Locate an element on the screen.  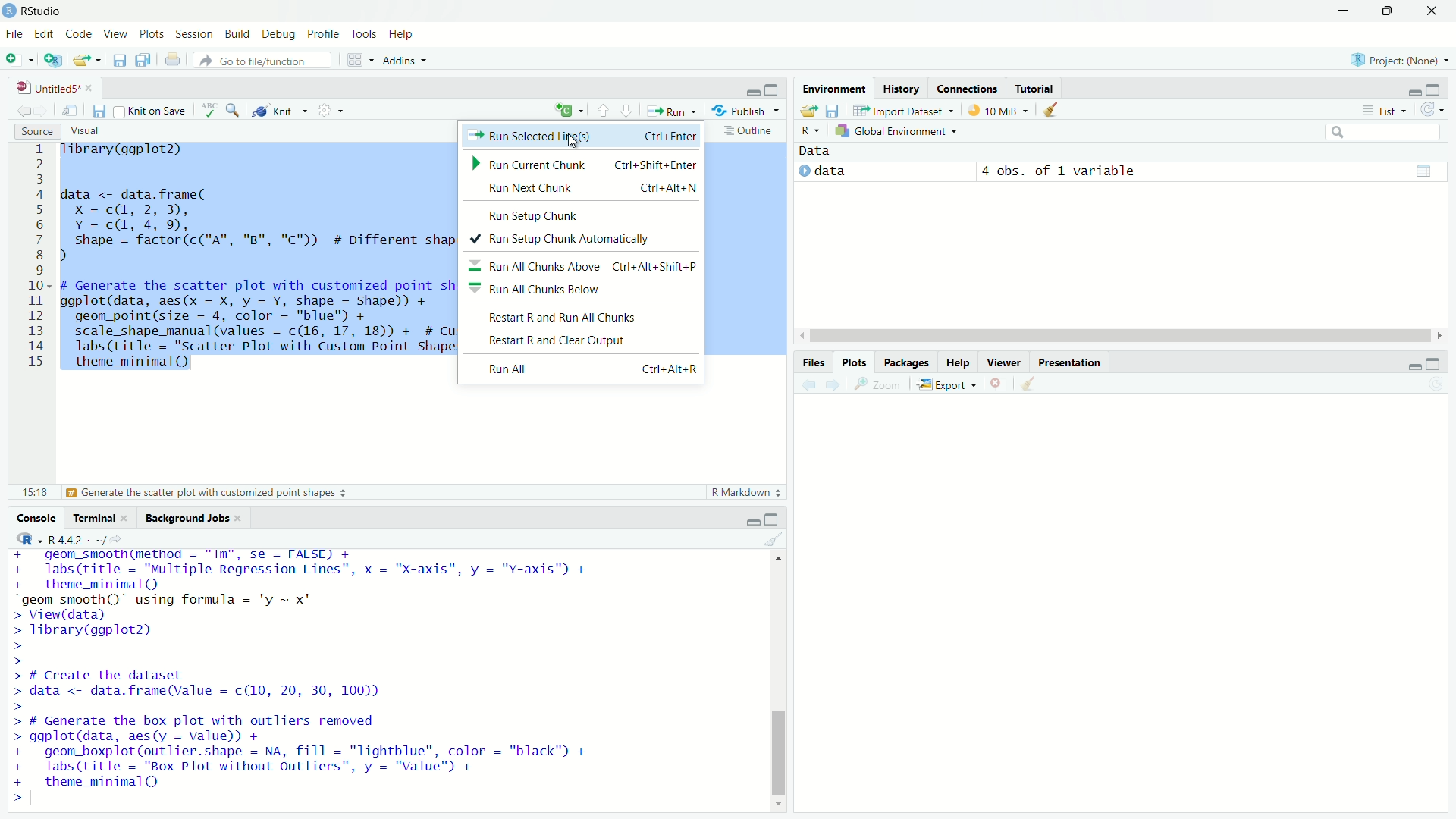
Terminal is located at coordinates (91, 518).